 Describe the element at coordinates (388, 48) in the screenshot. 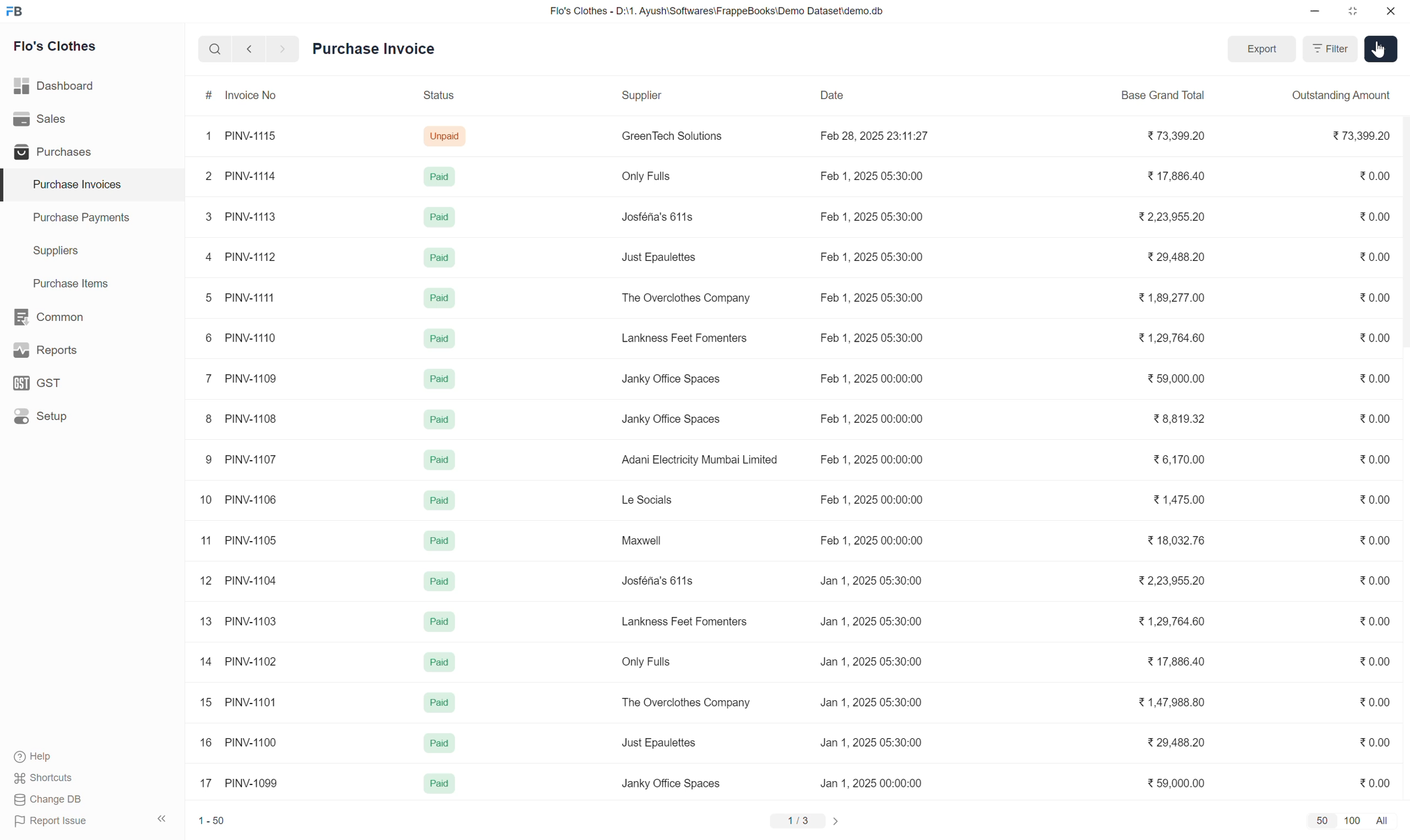

I see `Purchase invoice` at that location.